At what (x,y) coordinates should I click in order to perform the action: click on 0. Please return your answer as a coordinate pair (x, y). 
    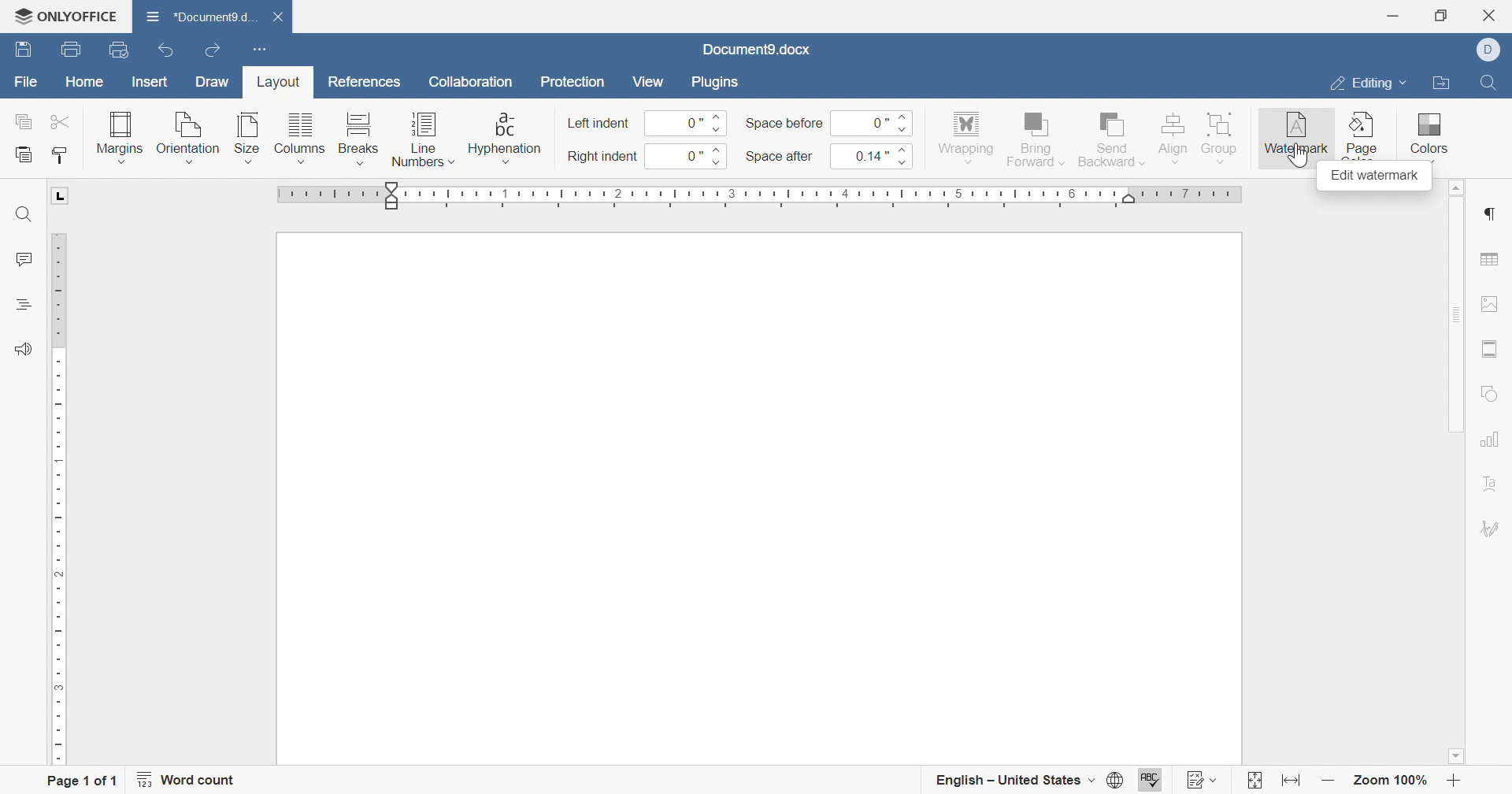
    Looking at the image, I should click on (686, 124).